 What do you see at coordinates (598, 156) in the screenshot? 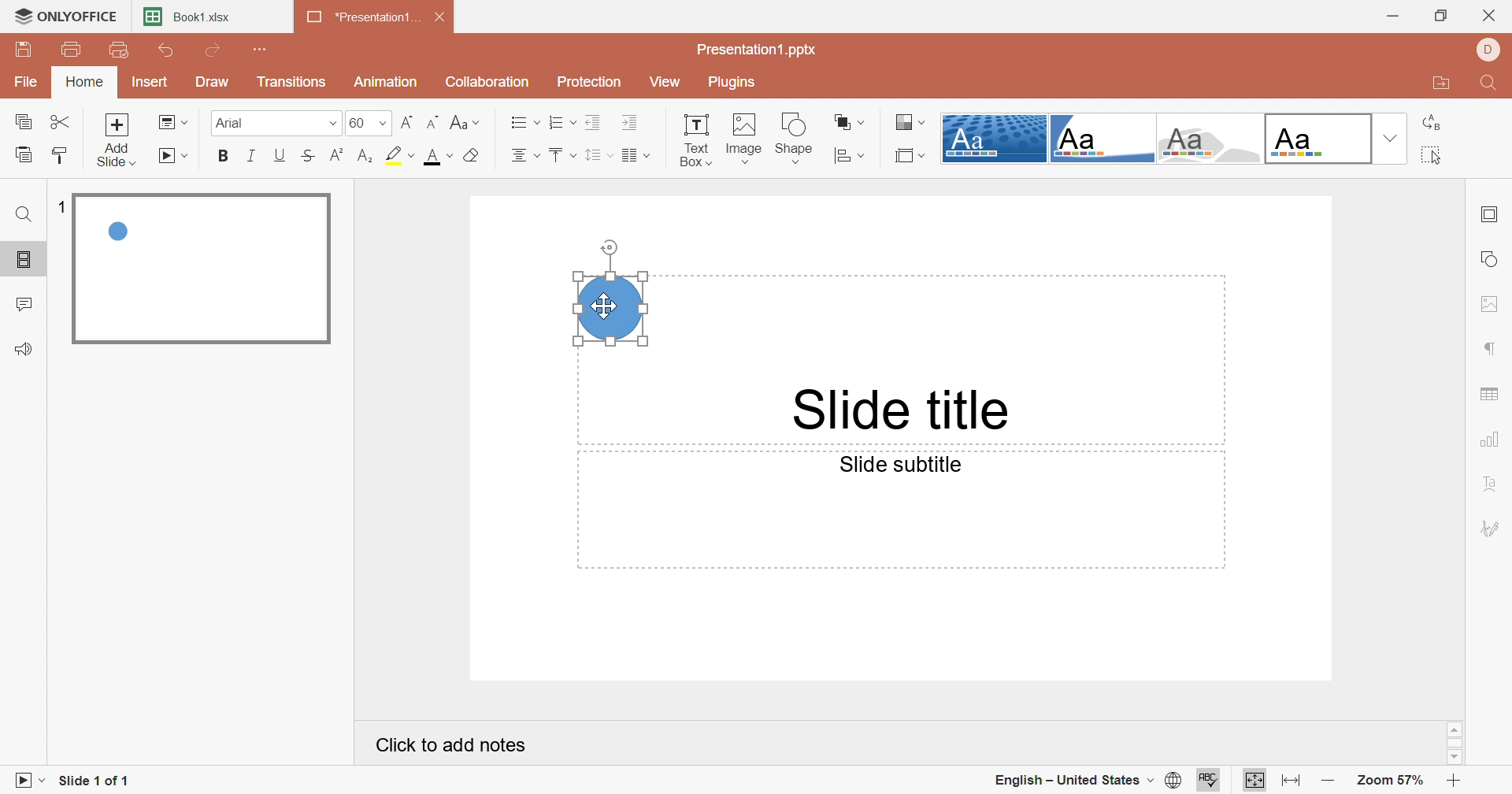
I see `Line spacing` at bounding box center [598, 156].